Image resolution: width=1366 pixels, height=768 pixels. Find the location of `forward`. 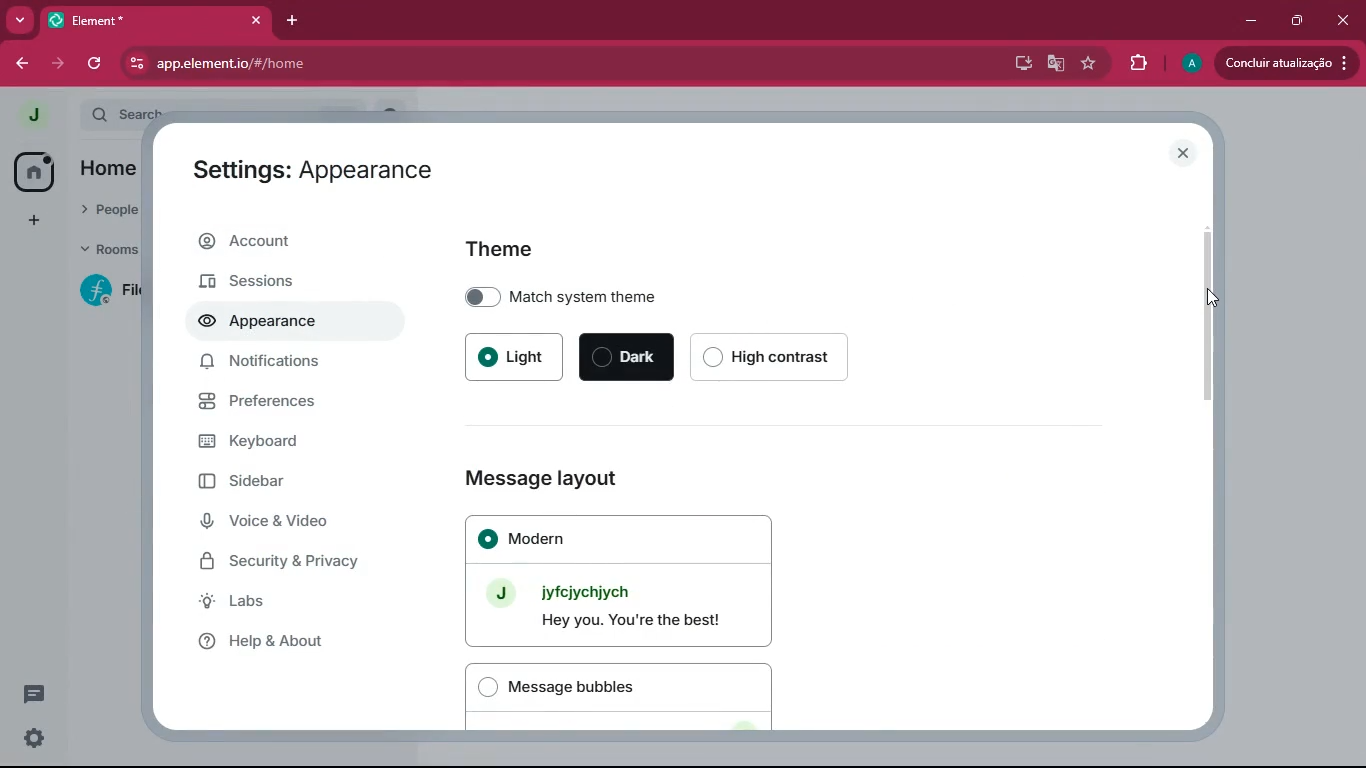

forward is located at coordinates (61, 64).